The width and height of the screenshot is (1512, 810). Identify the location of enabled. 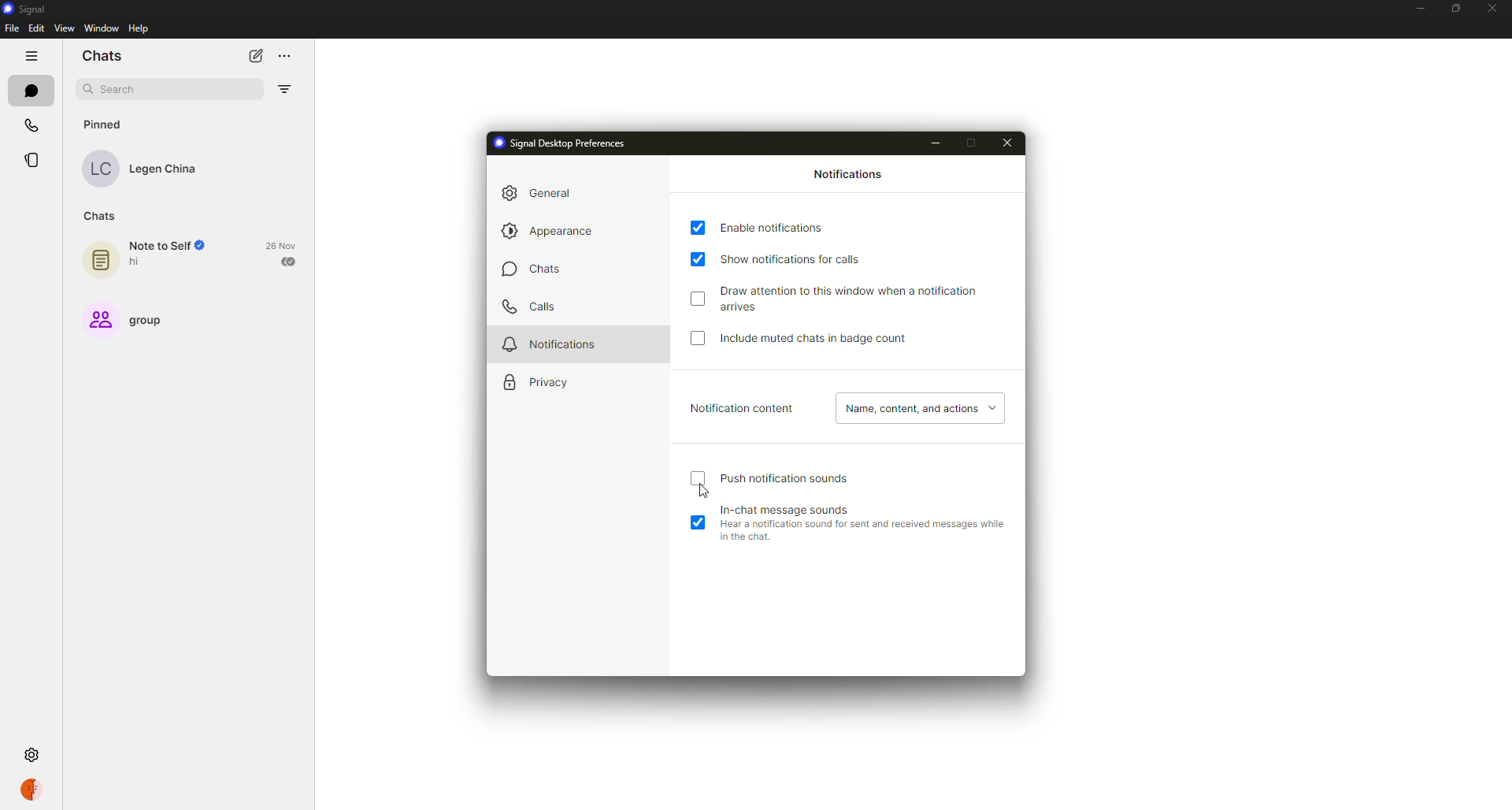
(697, 260).